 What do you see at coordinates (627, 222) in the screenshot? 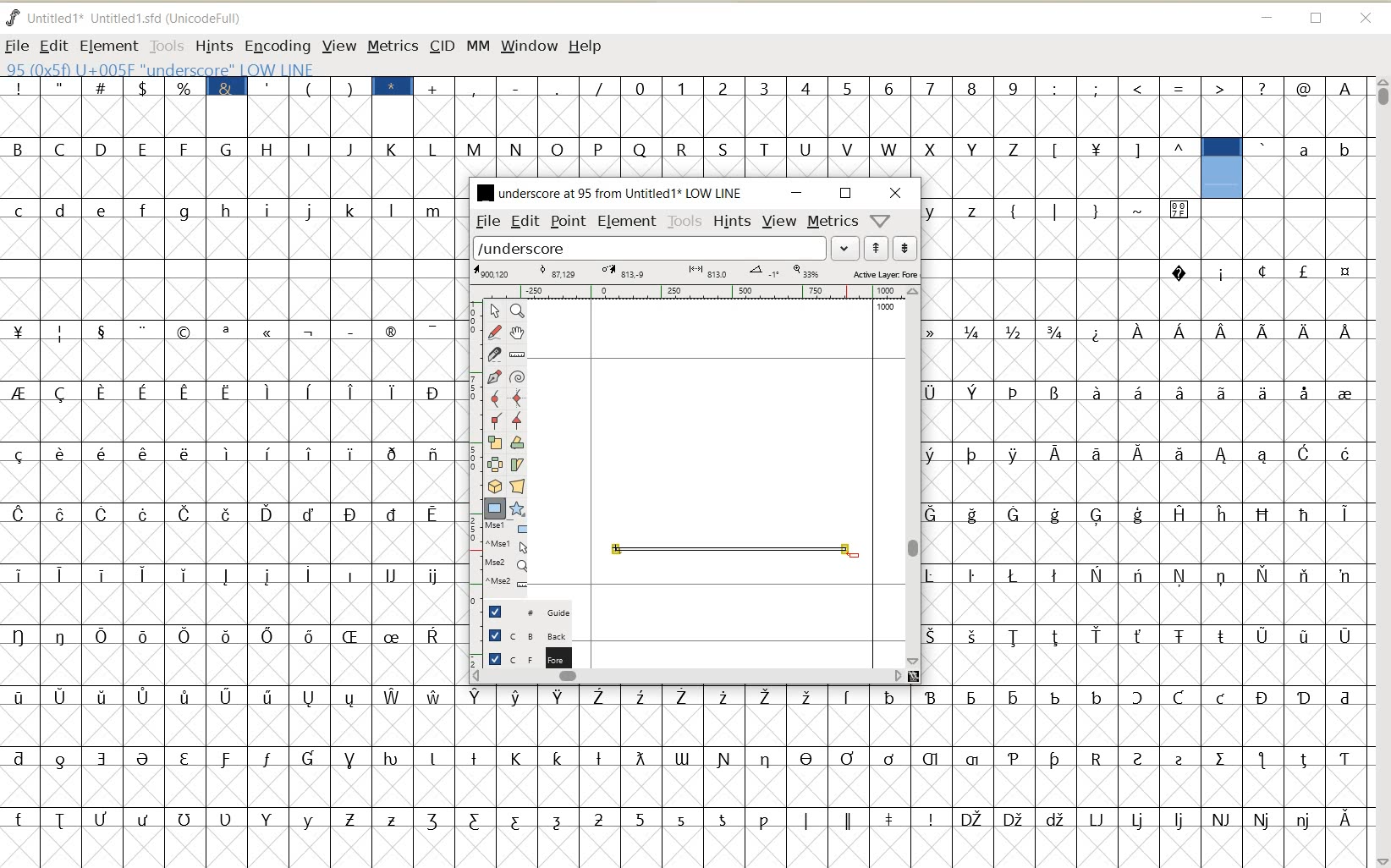
I see `ELEMENT` at bounding box center [627, 222].